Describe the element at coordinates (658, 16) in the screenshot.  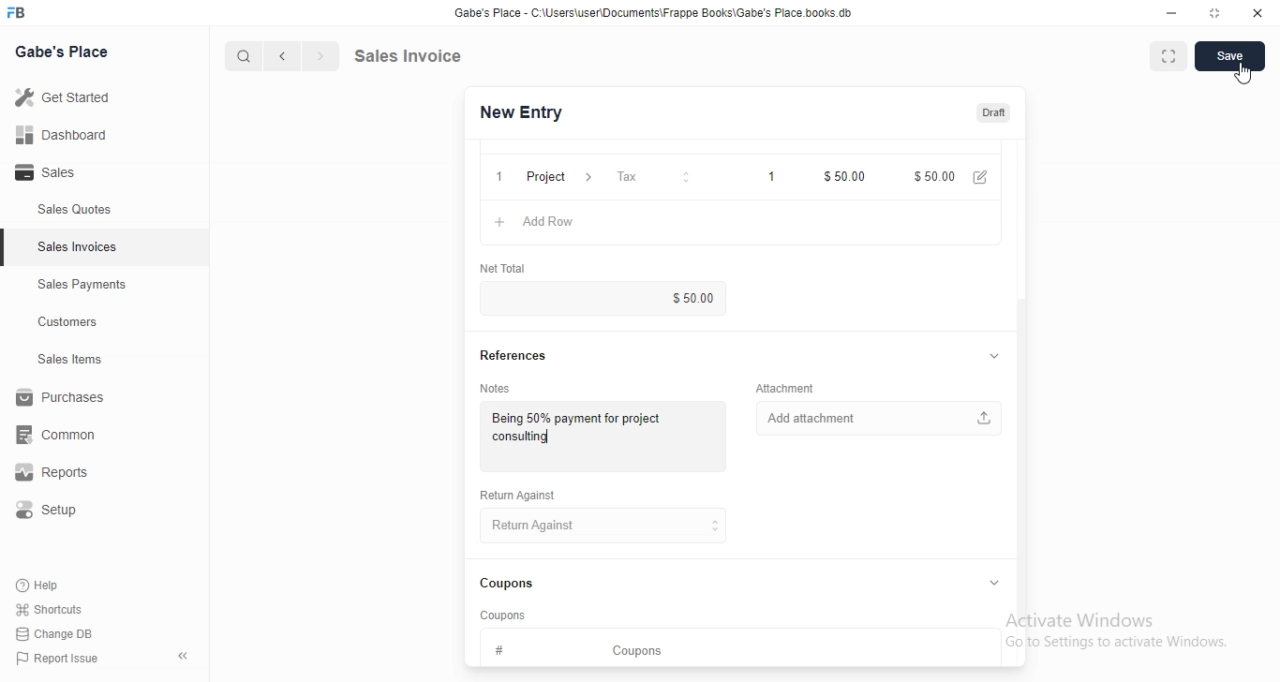
I see `Gabe's Place - C \Wsers\usenDocuments\Frappe Books\Gabe's Place books db` at that location.